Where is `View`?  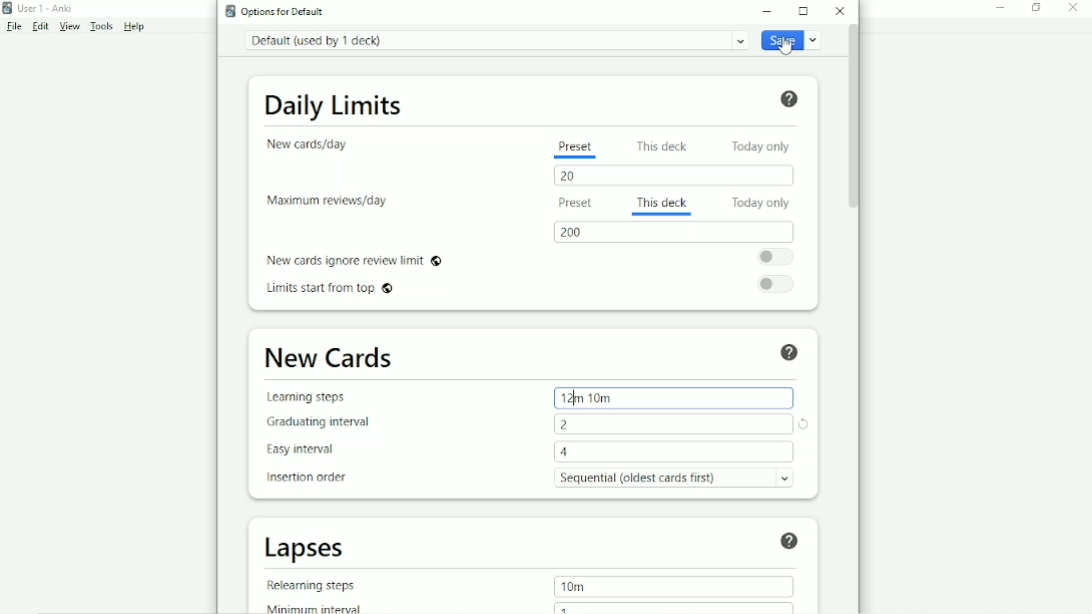
View is located at coordinates (70, 27).